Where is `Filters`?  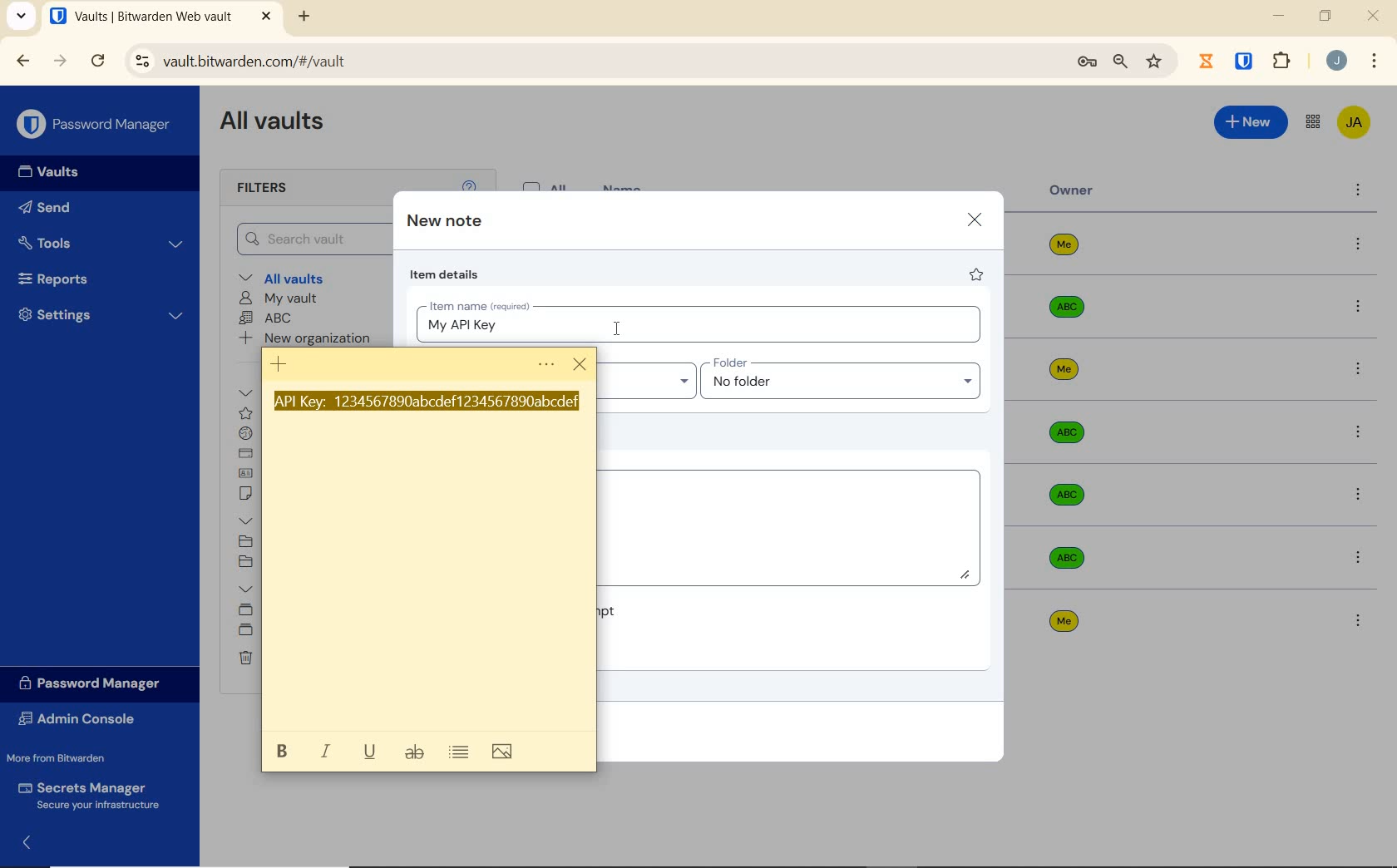 Filters is located at coordinates (265, 189).